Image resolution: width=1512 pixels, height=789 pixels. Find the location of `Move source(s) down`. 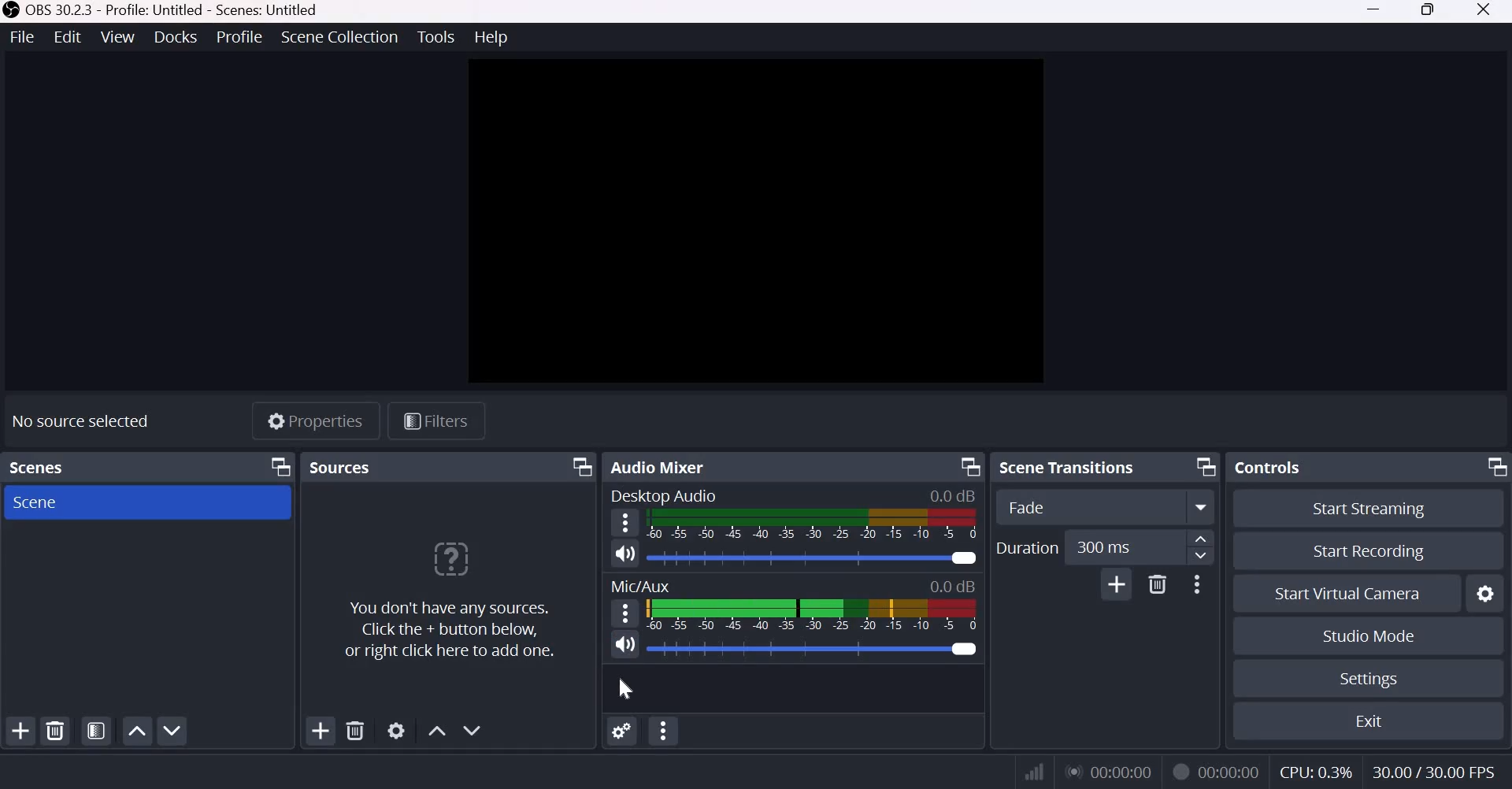

Move source(s) down is located at coordinates (472, 729).